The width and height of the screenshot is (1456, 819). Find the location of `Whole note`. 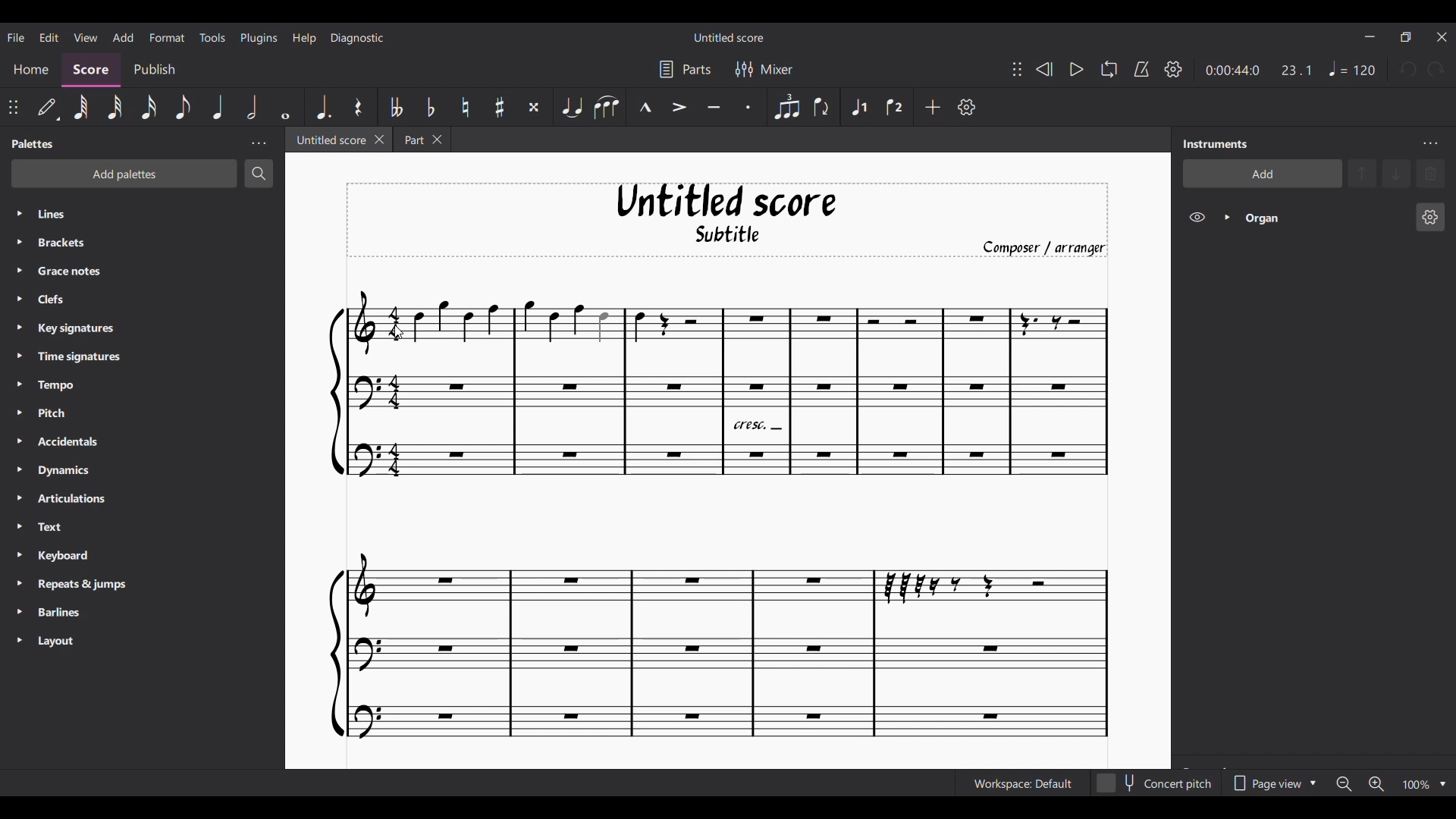

Whole note is located at coordinates (285, 107).